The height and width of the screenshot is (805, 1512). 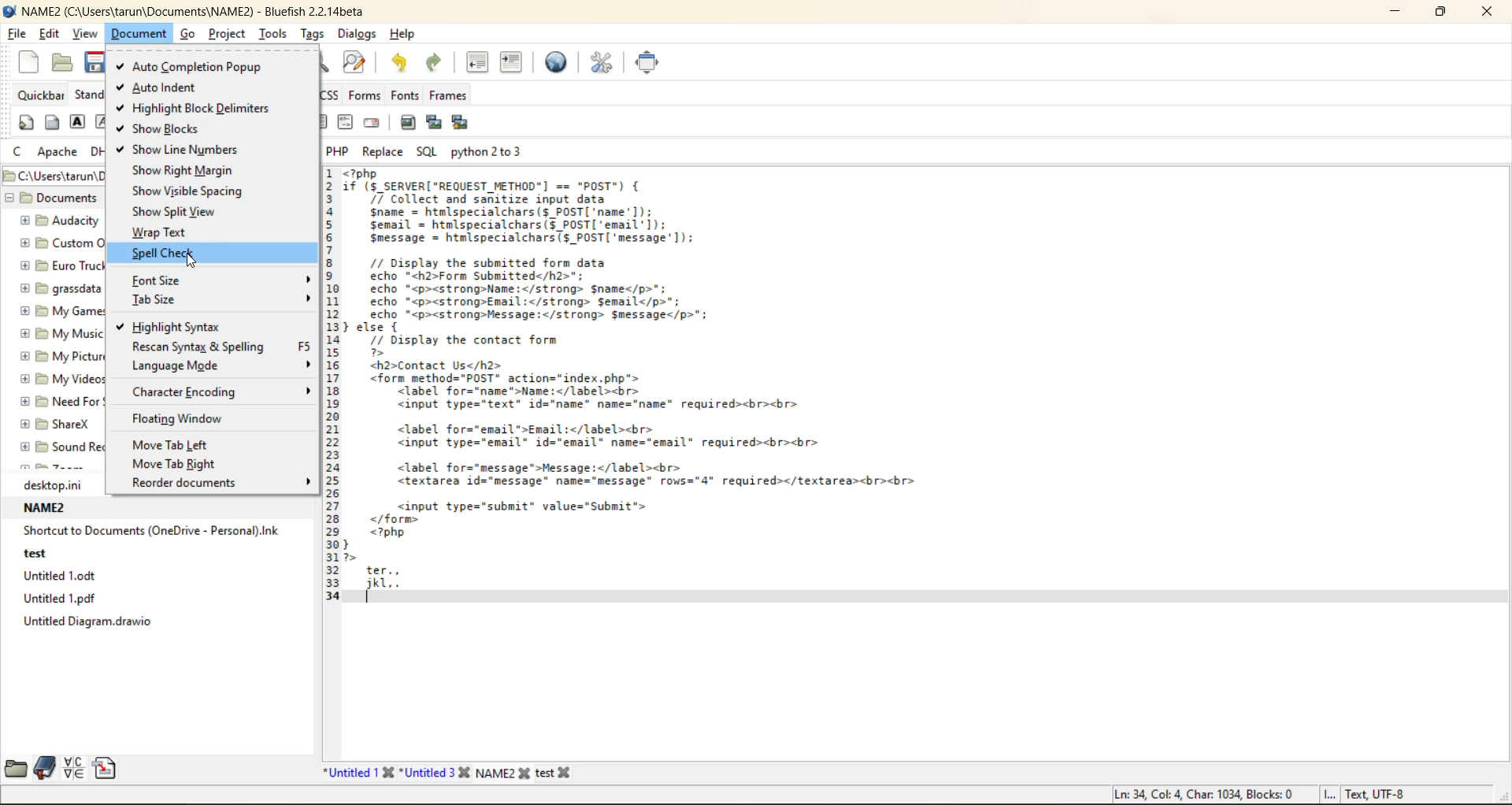 What do you see at coordinates (90, 96) in the screenshot?
I see `standard` at bounding box center [90, 96].